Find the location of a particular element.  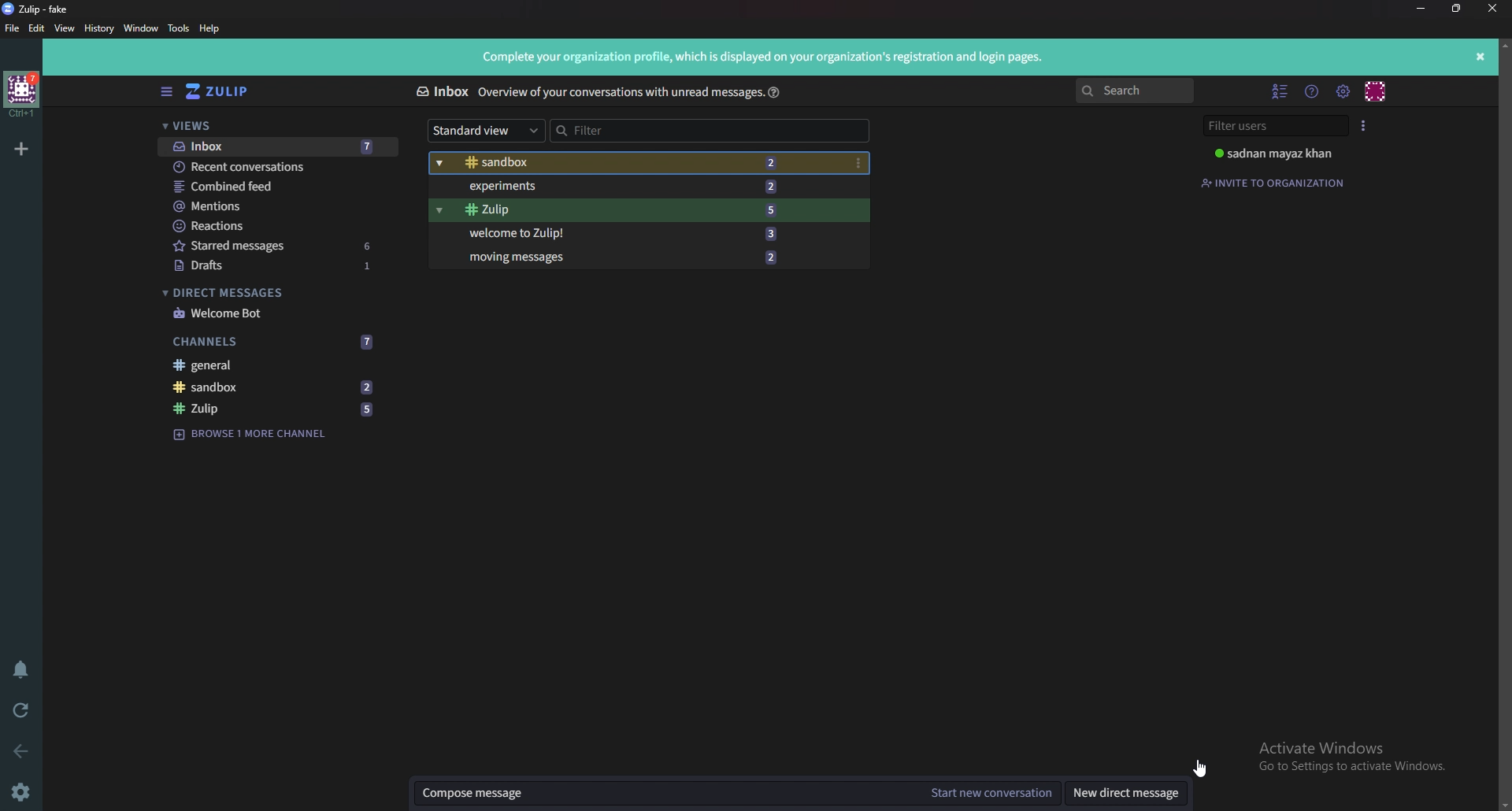

Tools is located at coordinates (179, 28).